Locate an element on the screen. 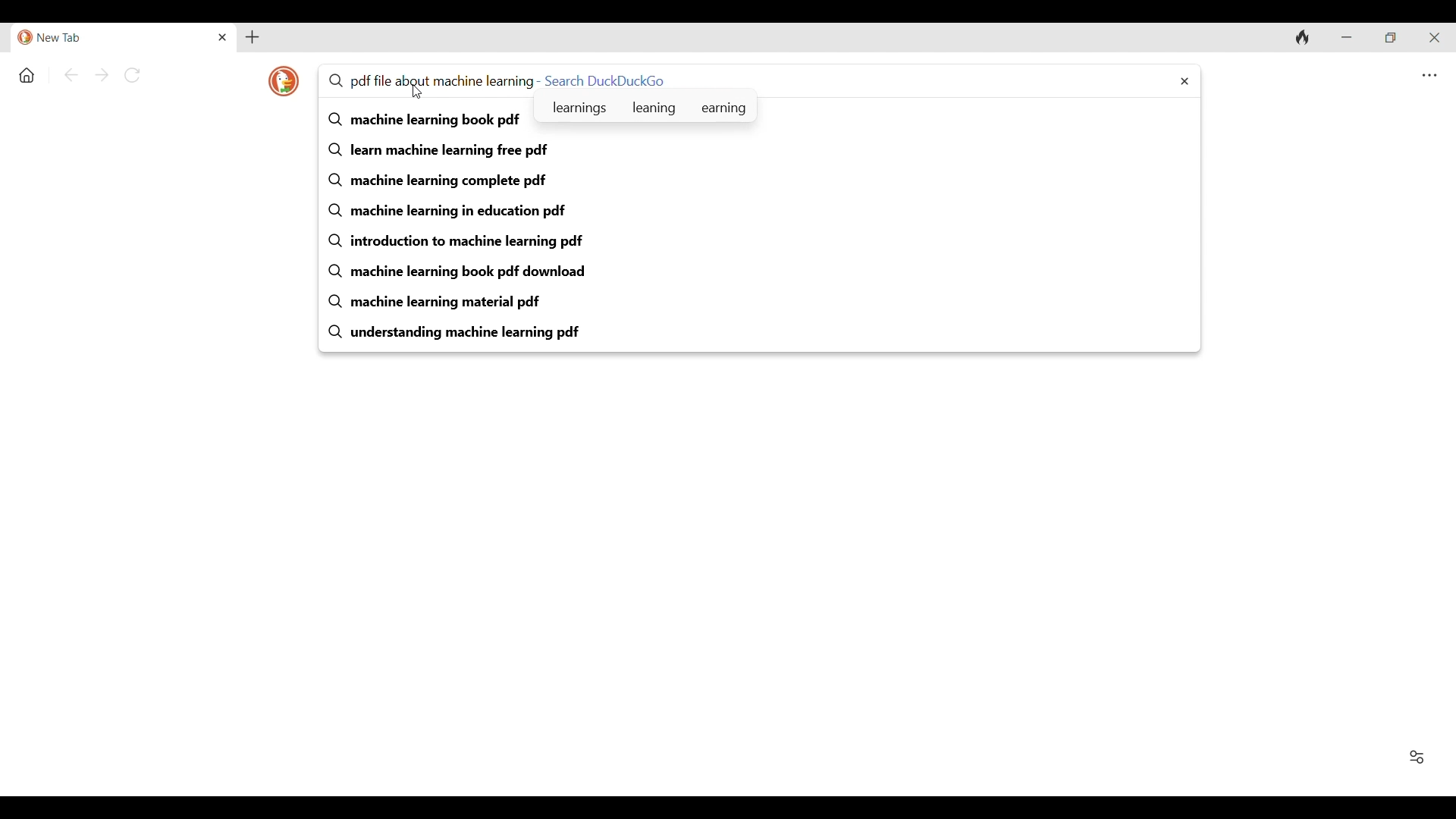  New tab is located at coordinates (114, 38).